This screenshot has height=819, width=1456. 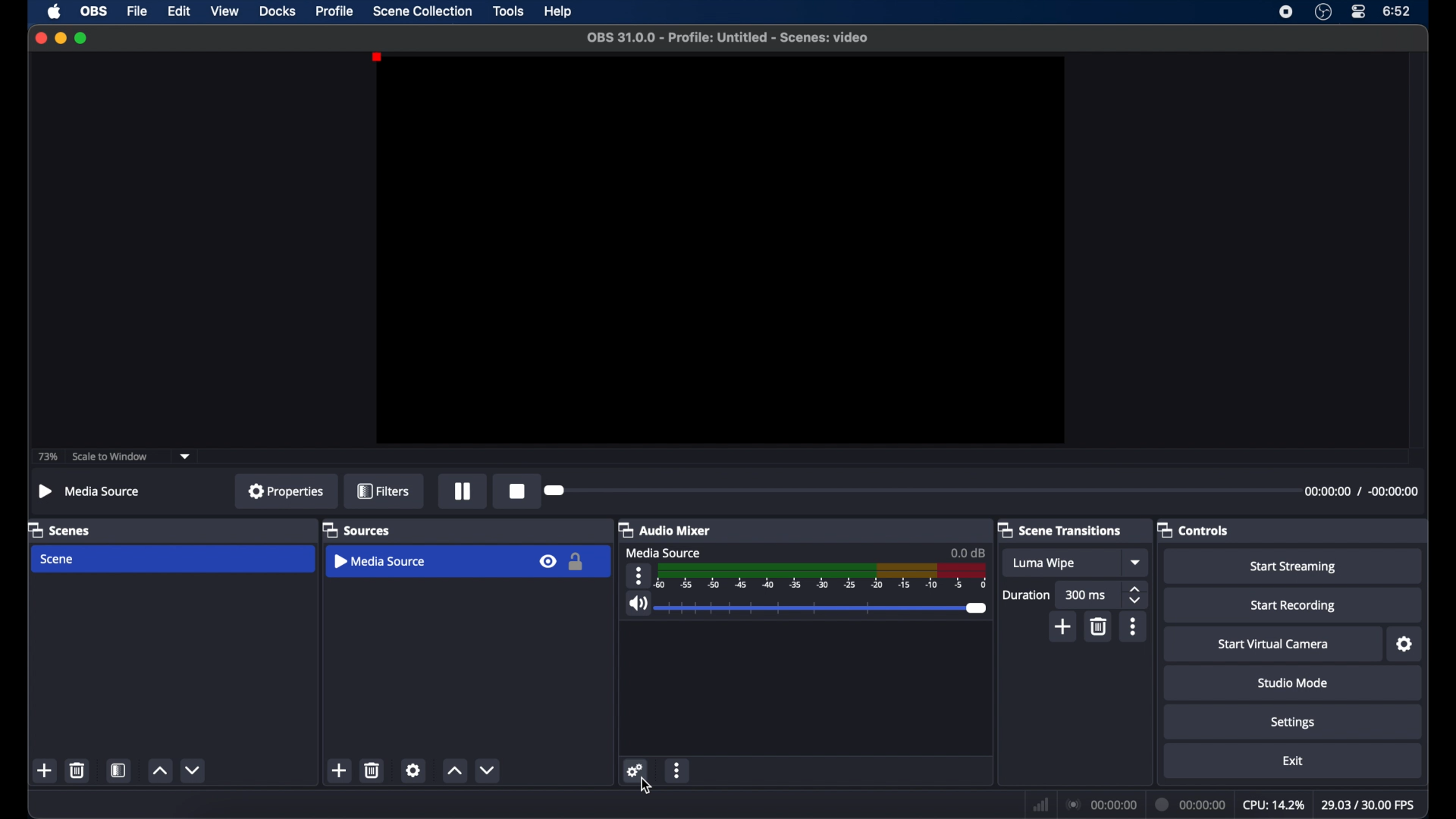 I want to click on timestamps, so click(x=1360, y=491).